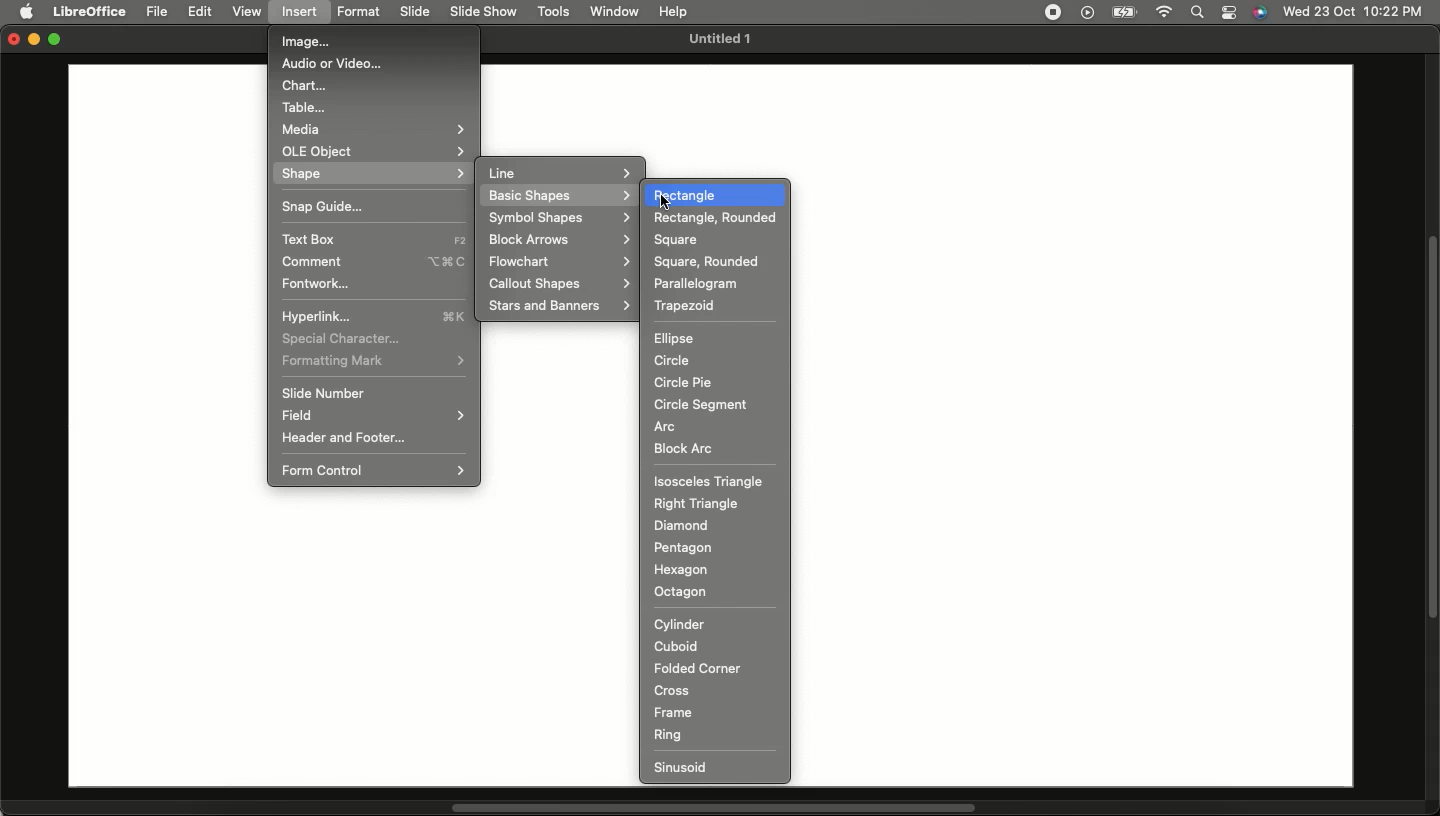 The image size is (1440, 816). What do you see at coordinates (555, 12) in the screenshot?
I see `Tools` at bounding box center [555, 12].